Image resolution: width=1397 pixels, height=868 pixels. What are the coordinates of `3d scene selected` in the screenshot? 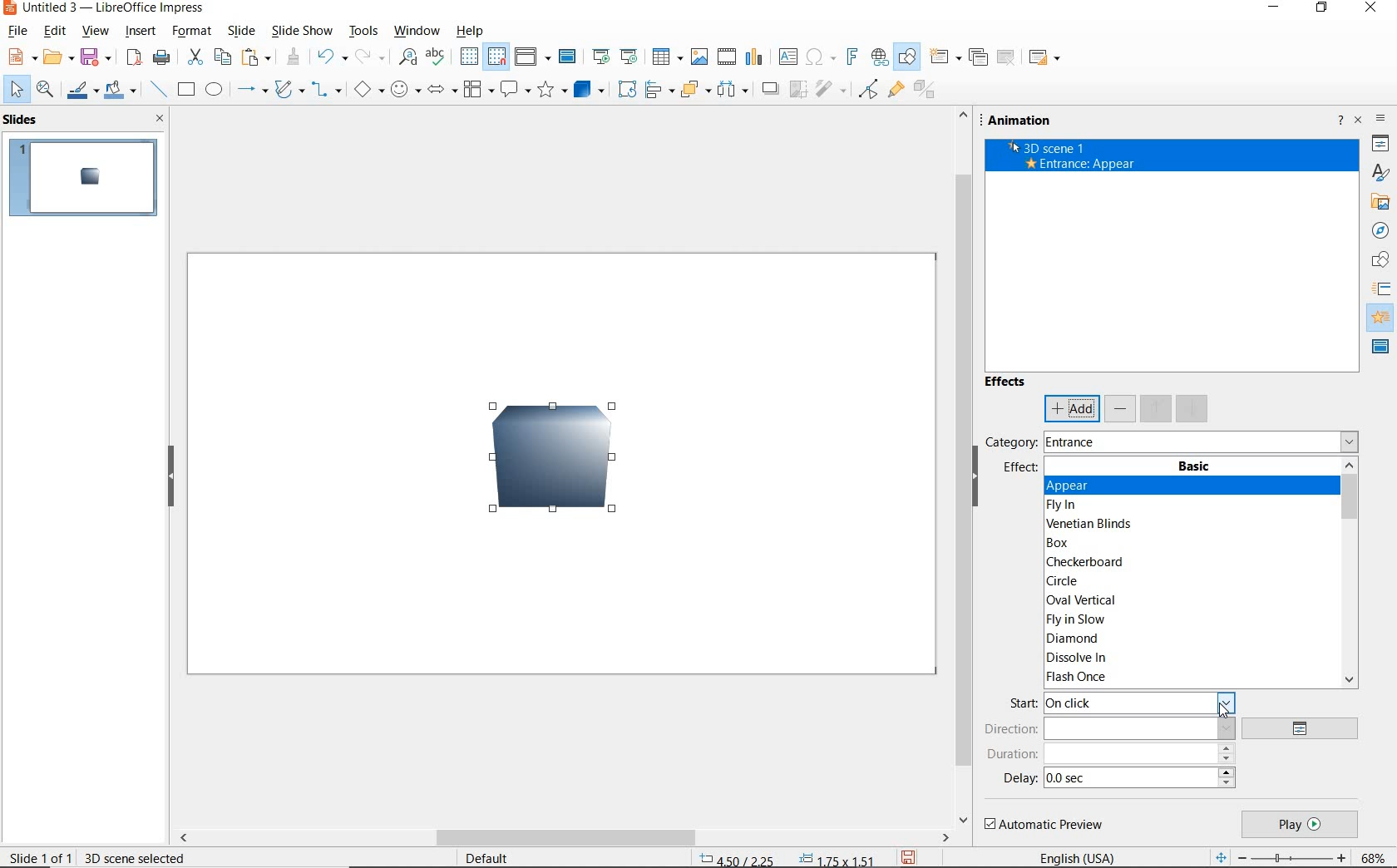 It's located at (135, 857).